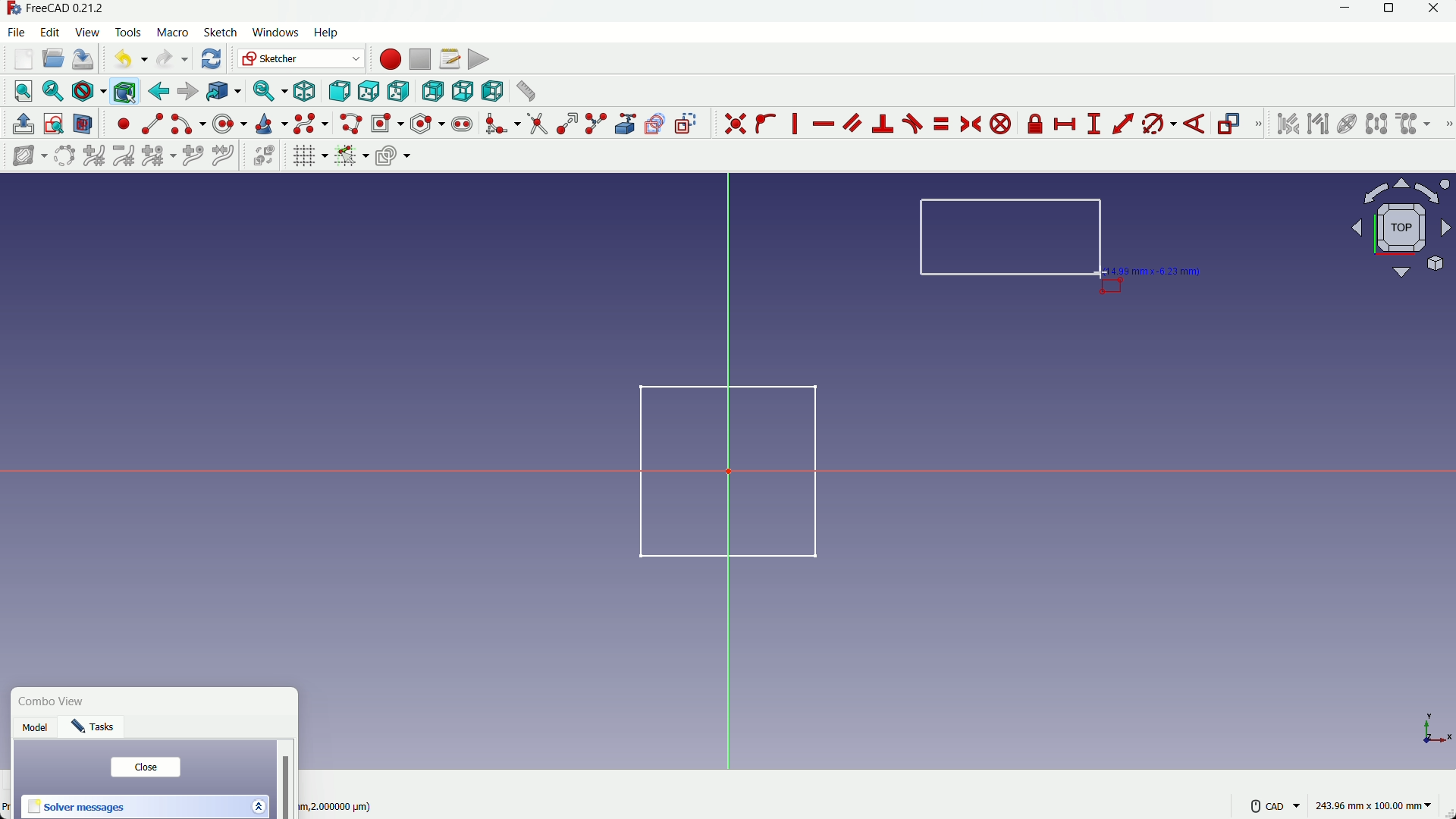  Describe the element at coordinates (419, 60) in the screenshot. I see `stop macros` at that location.